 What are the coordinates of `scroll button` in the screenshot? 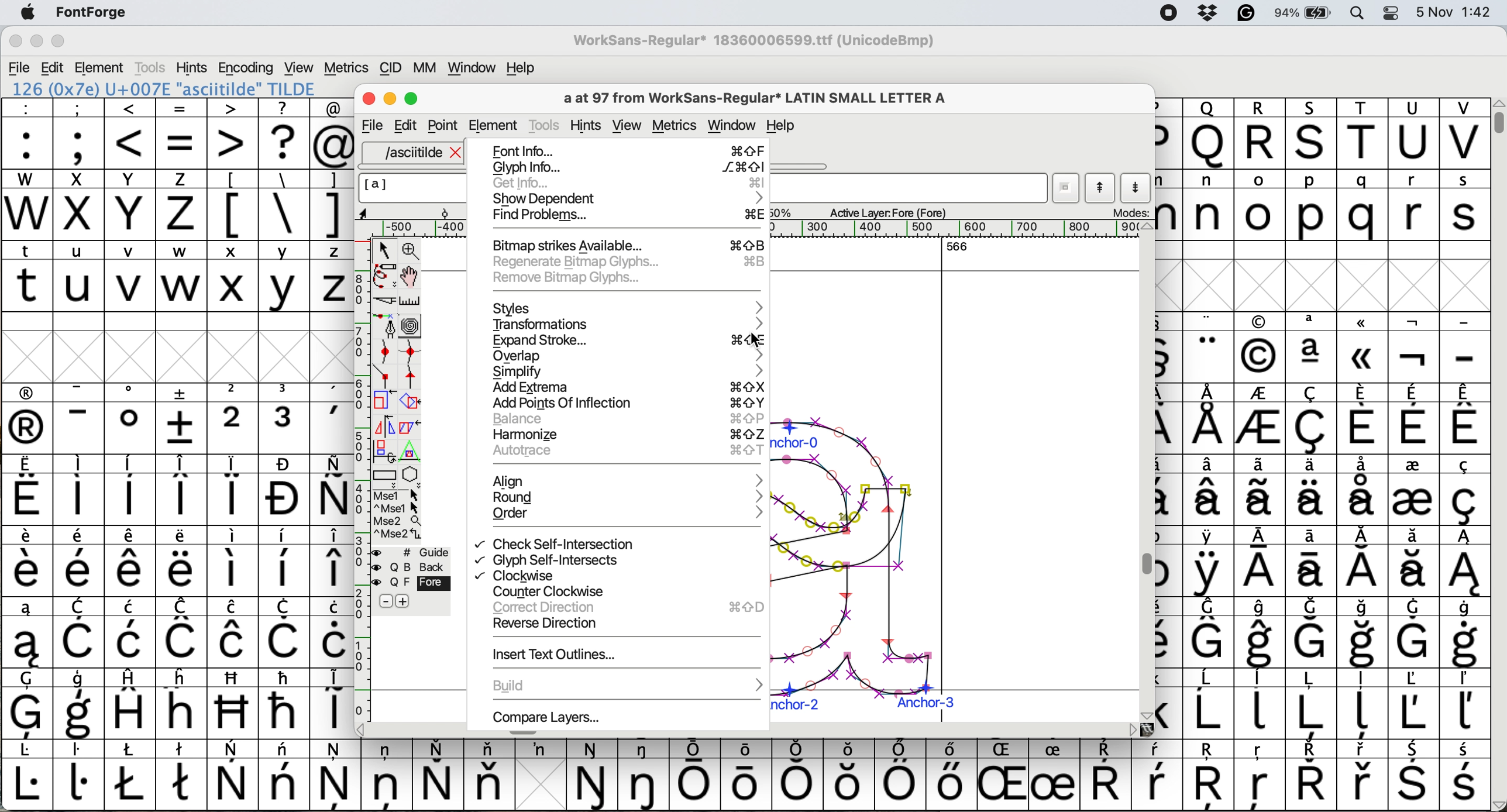 It's located at (362, 728).